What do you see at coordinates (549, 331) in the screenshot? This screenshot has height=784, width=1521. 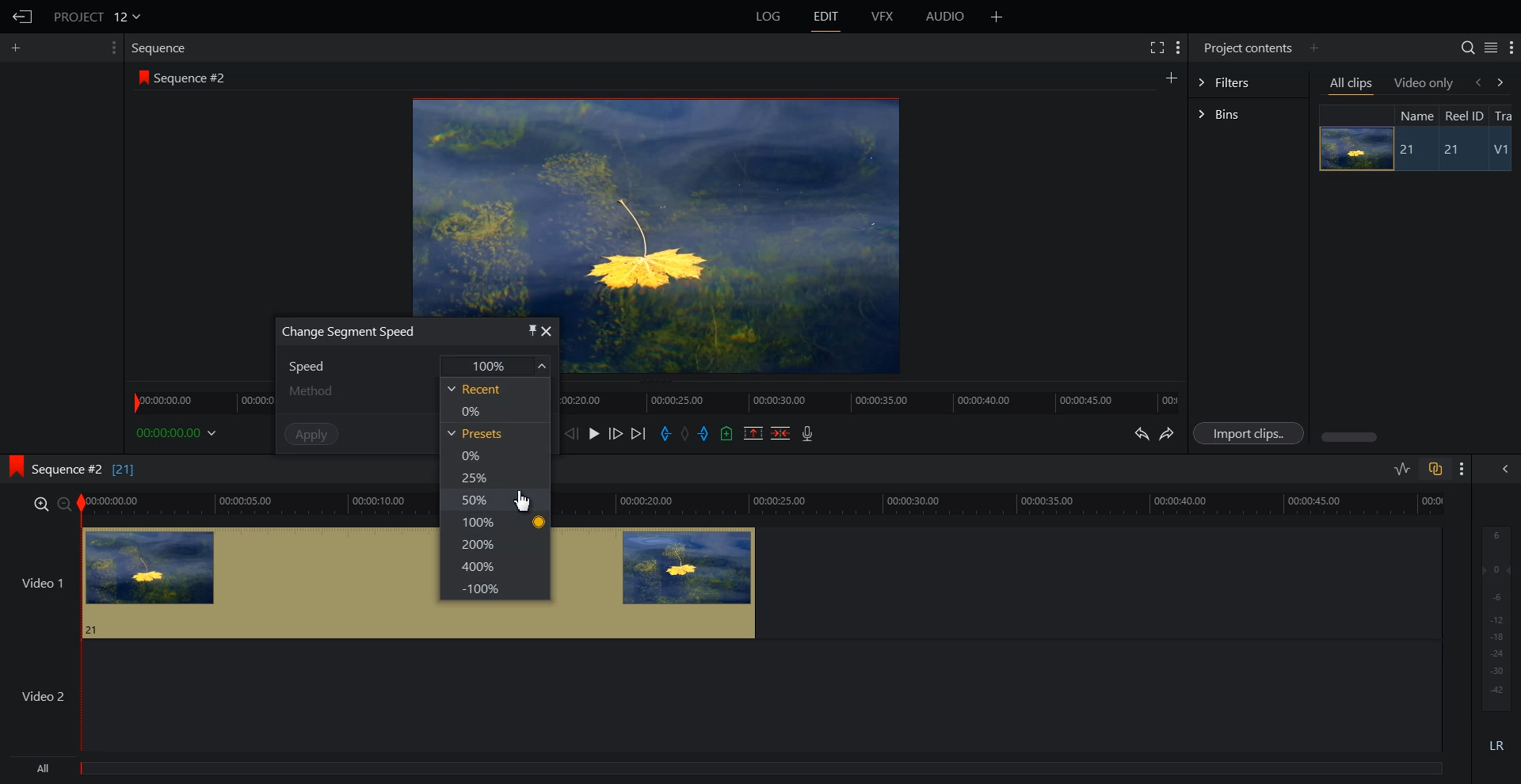 I see `close` at bounding box center [549, 331].